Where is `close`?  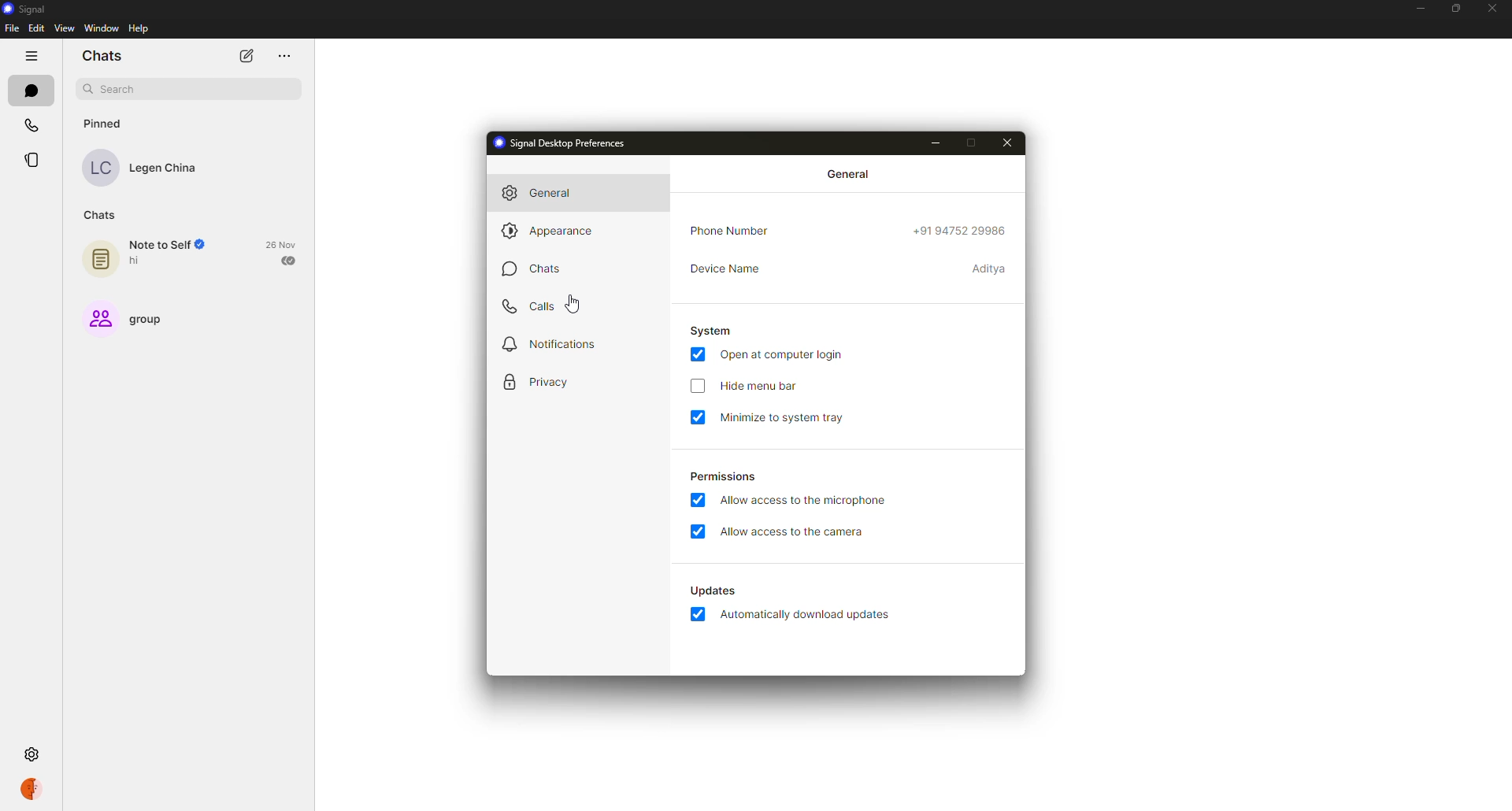 close is located at coordinates (1010, 143).